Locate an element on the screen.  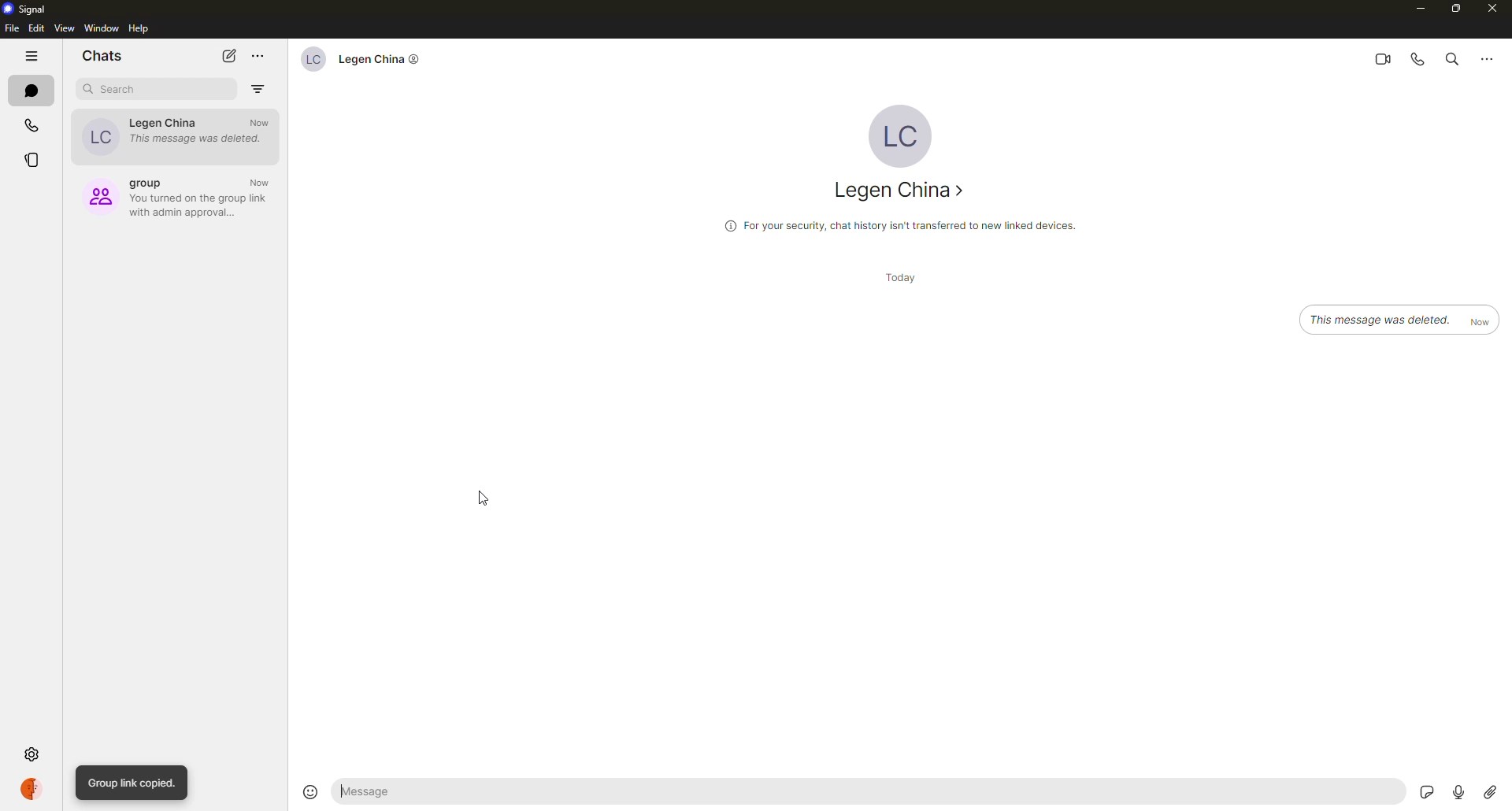
group is located at coordinates (178, 194).